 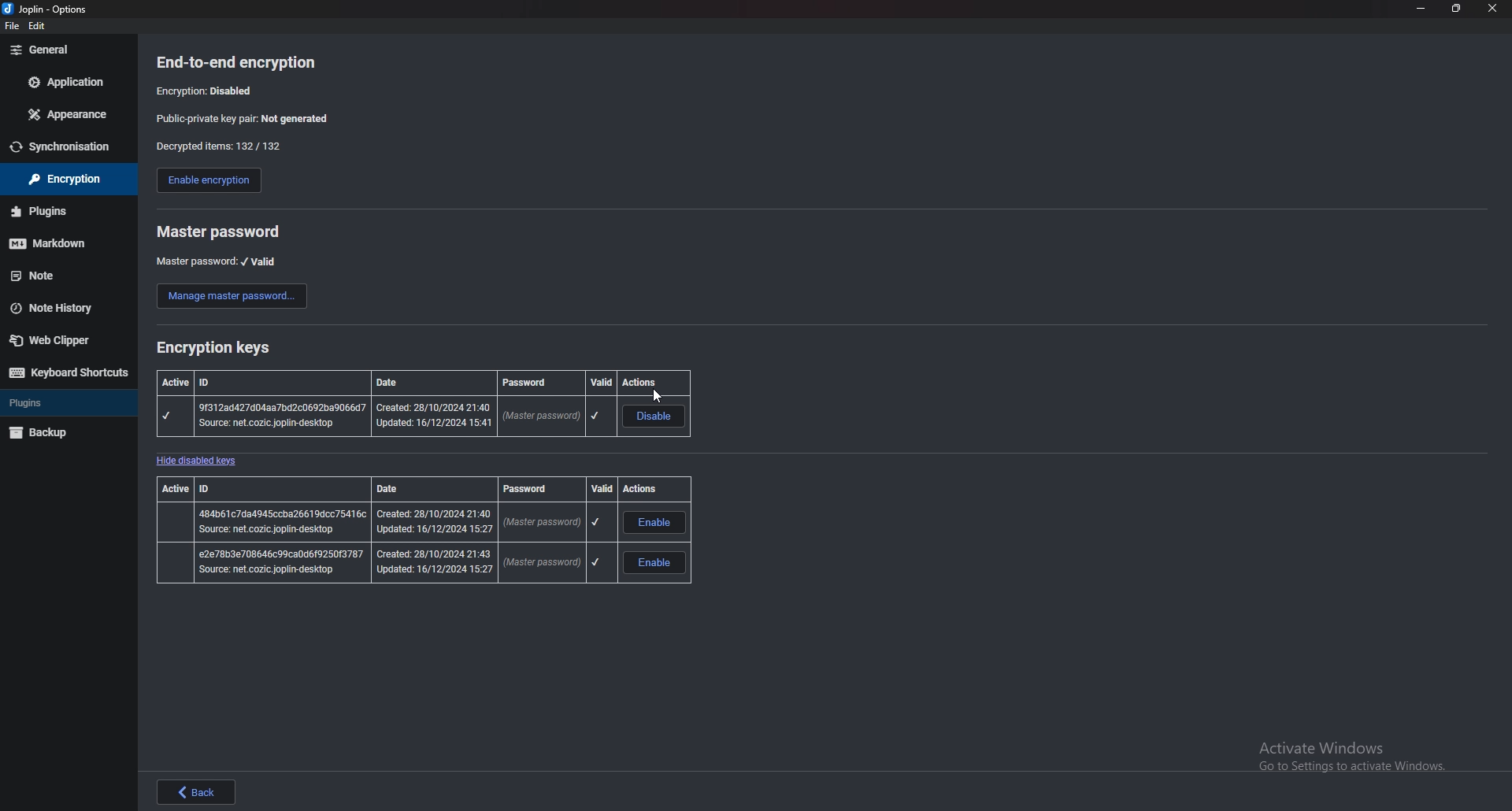 What do you see at coordinates (199, 791) in the screenshot?
I see `back` at bounding box center [199, 791].